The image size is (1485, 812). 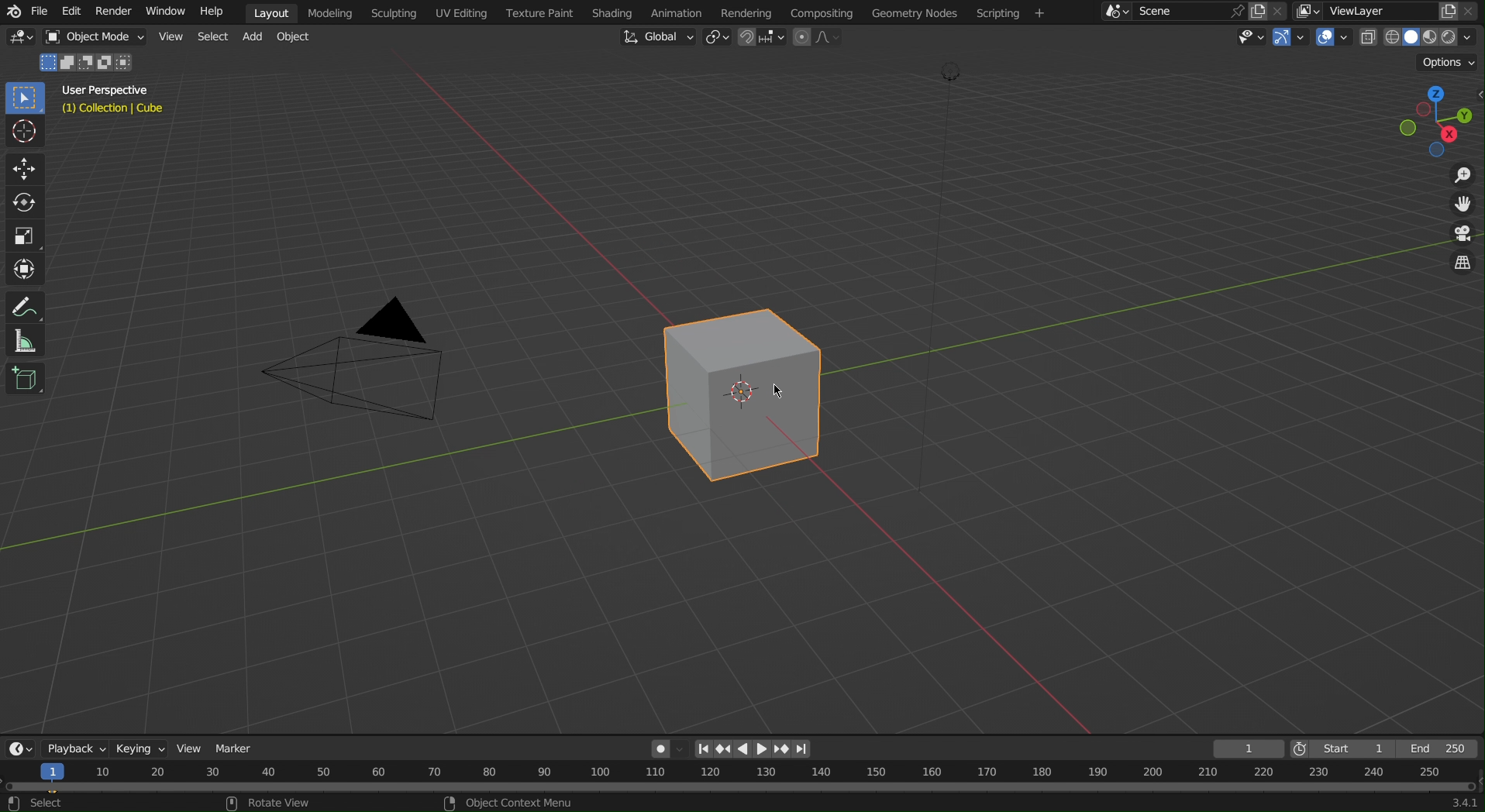 I want to click on Help, so click(x=219, y=15).